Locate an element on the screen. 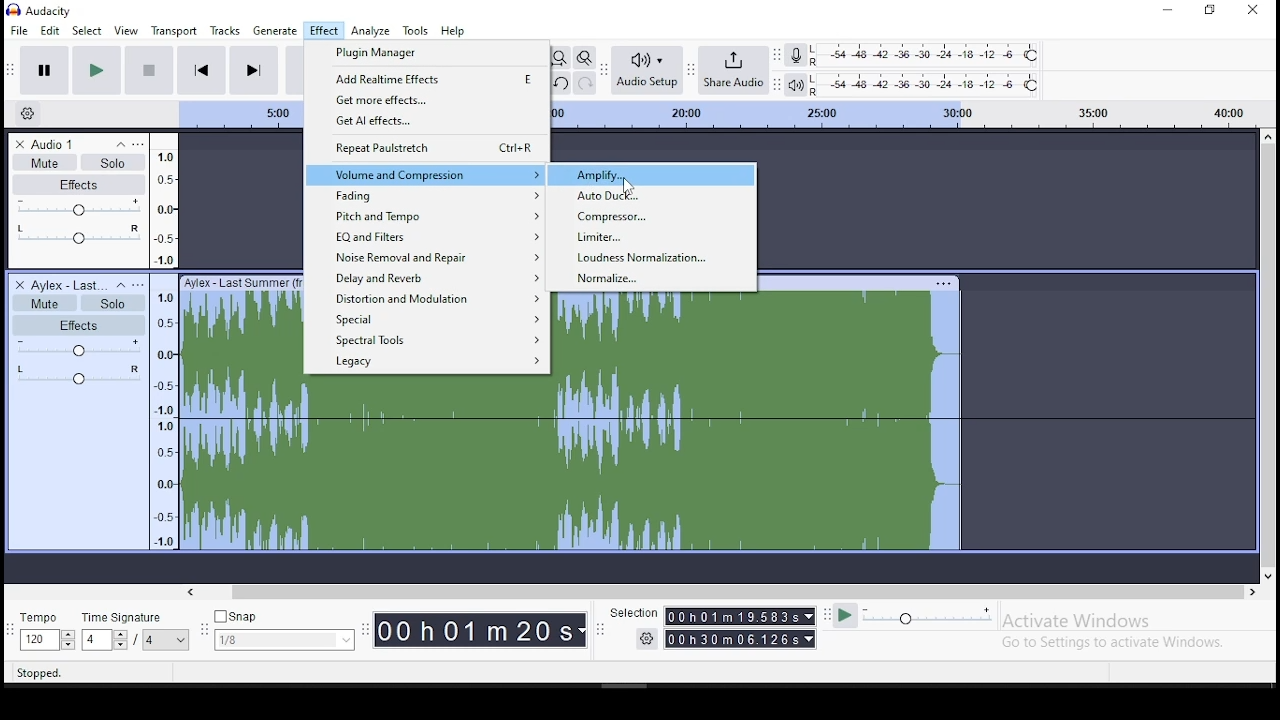 The image size is (1280, 720). undo is located at coordinates (559, 83).